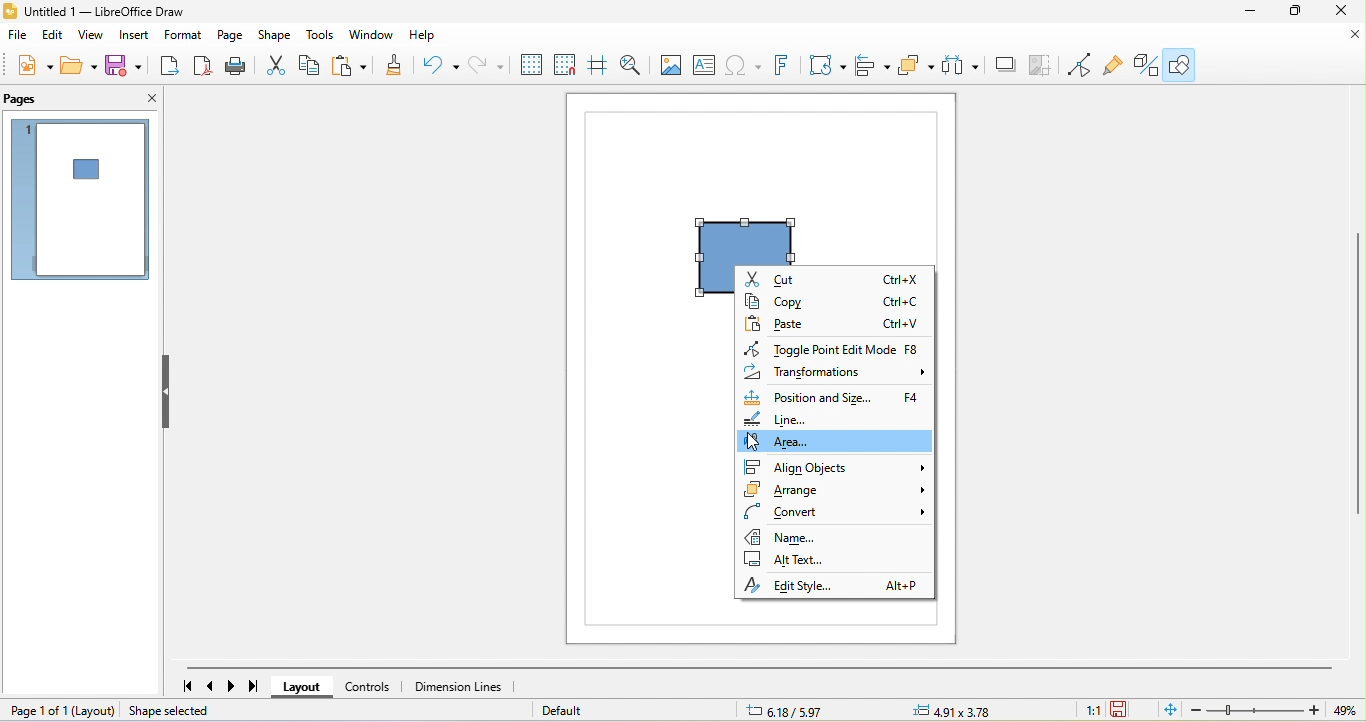 This screenshot has width=1366, height=722. Describe the element at coordinates (482, 64) in the screenshot. I see `redo` at that location.